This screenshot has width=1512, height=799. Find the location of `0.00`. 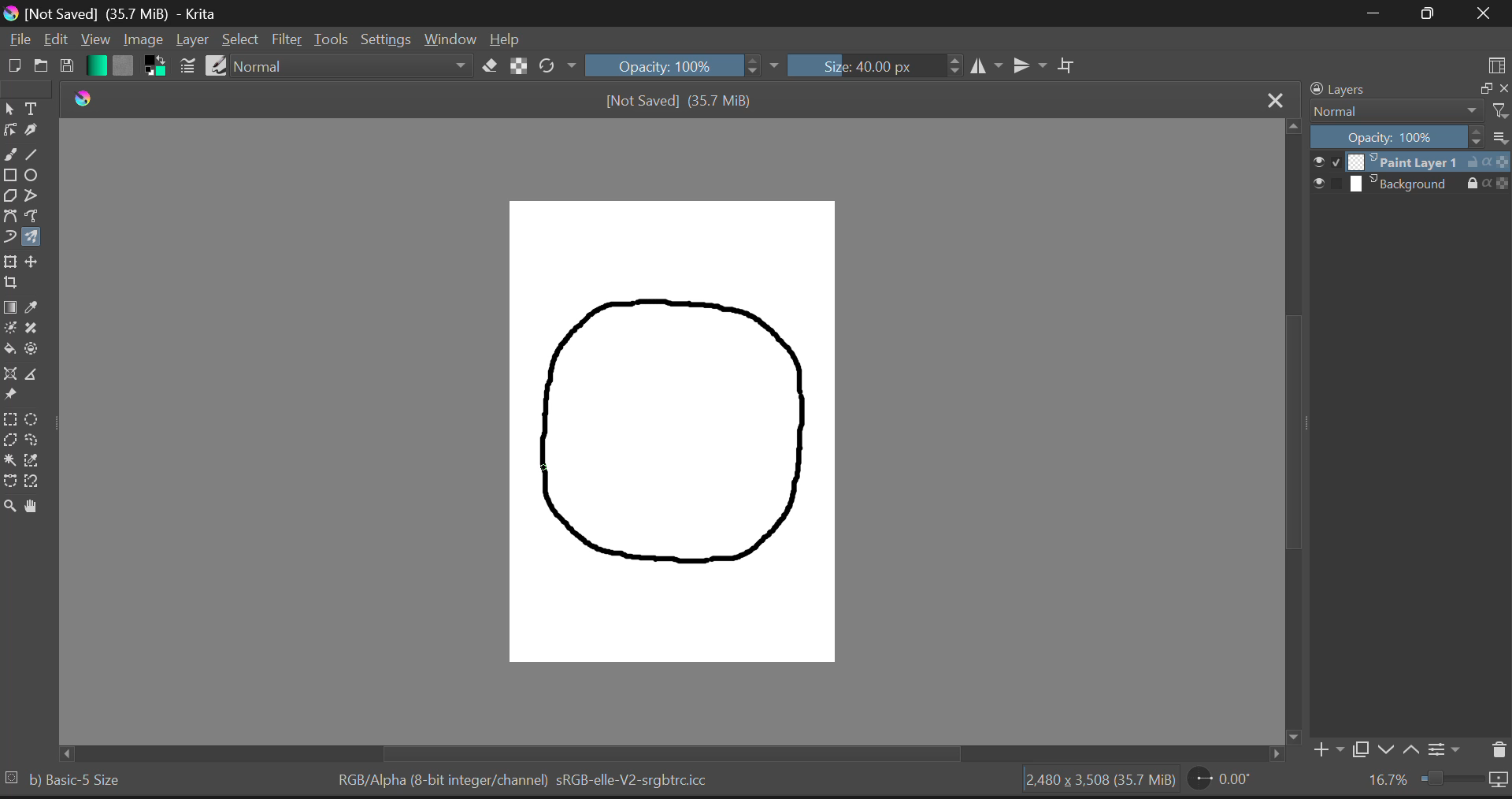

0.00 is located at coordinates (1222, 782).